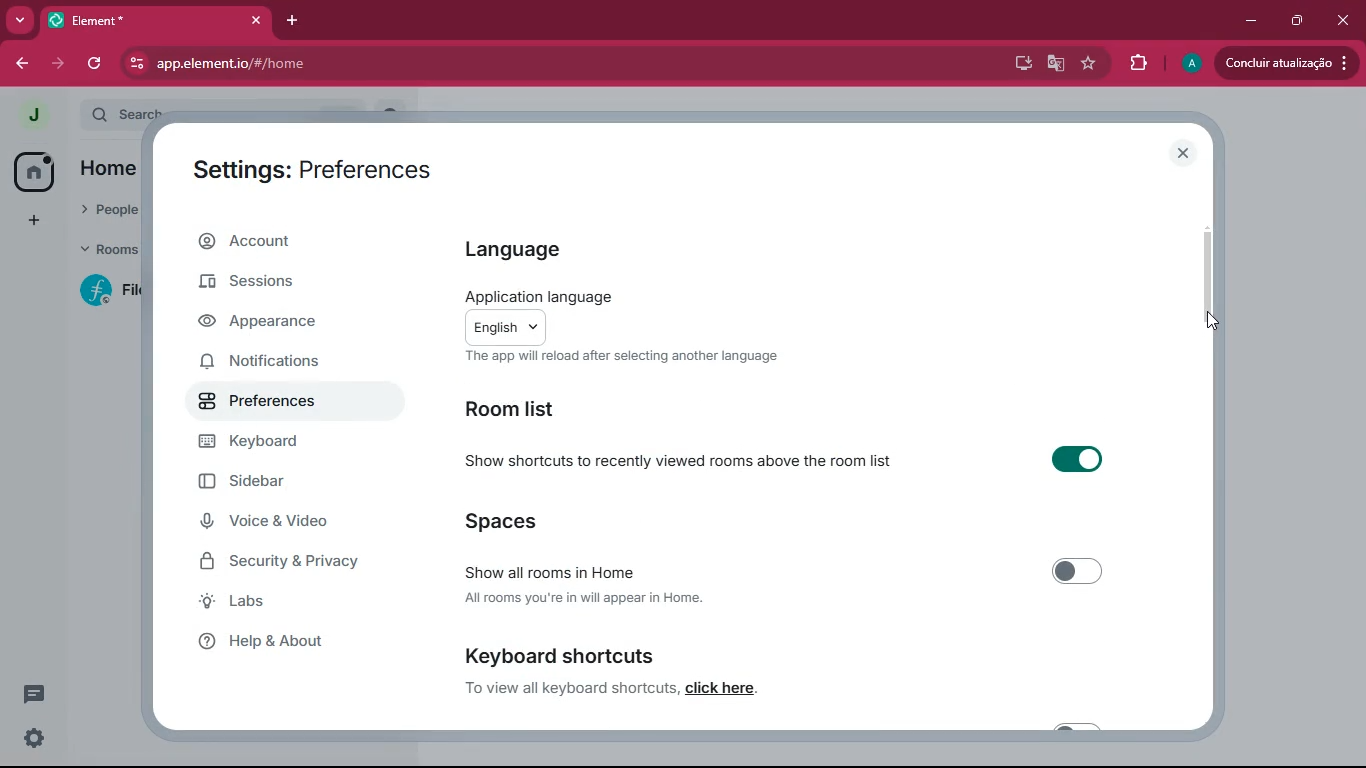  I want to click on show shortcuts, so click(803, 461).